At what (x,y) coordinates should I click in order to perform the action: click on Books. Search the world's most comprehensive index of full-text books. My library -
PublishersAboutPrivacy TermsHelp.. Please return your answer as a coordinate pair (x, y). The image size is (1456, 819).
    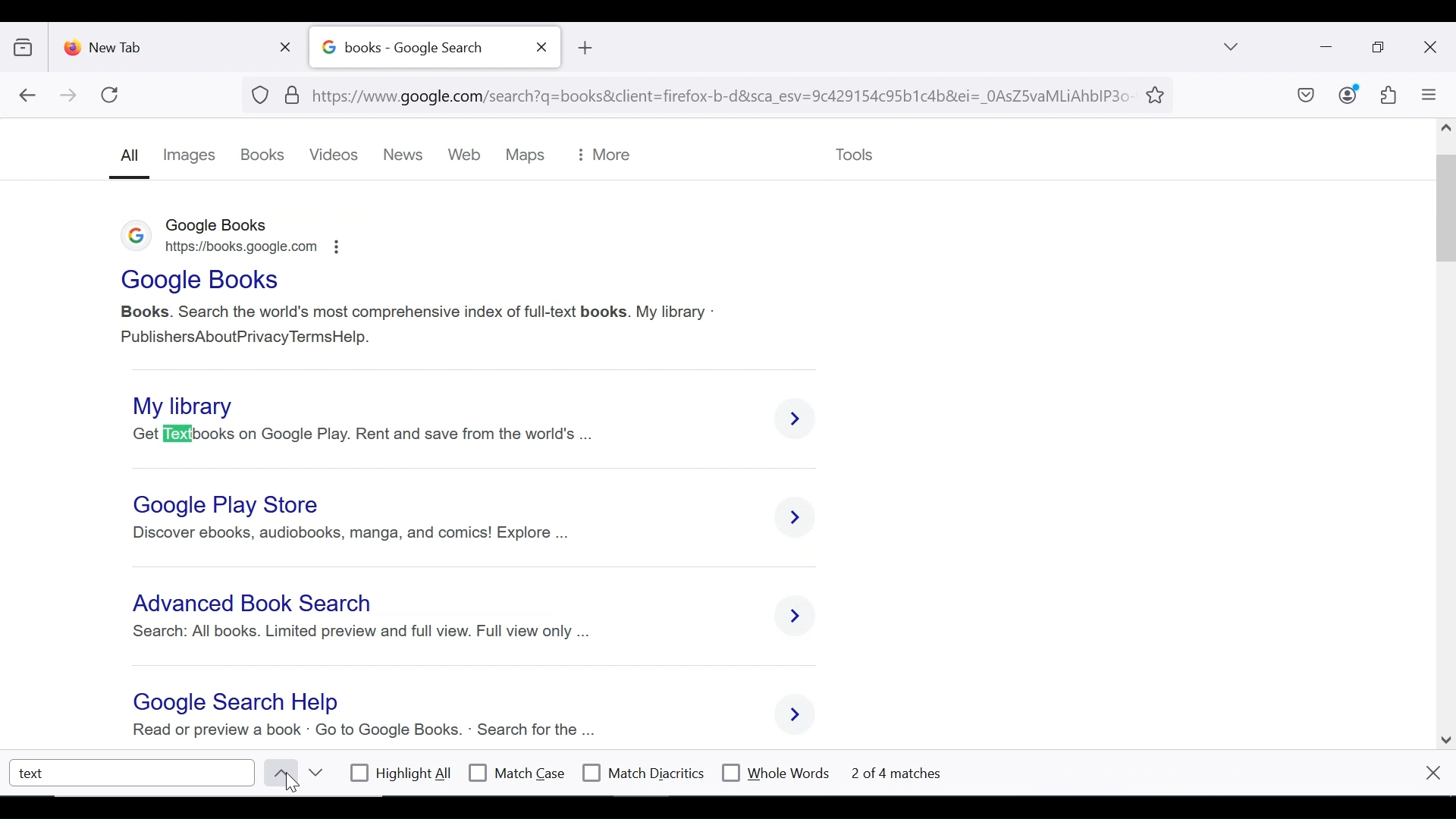
    Looking at the image, I should click on (419, 322).